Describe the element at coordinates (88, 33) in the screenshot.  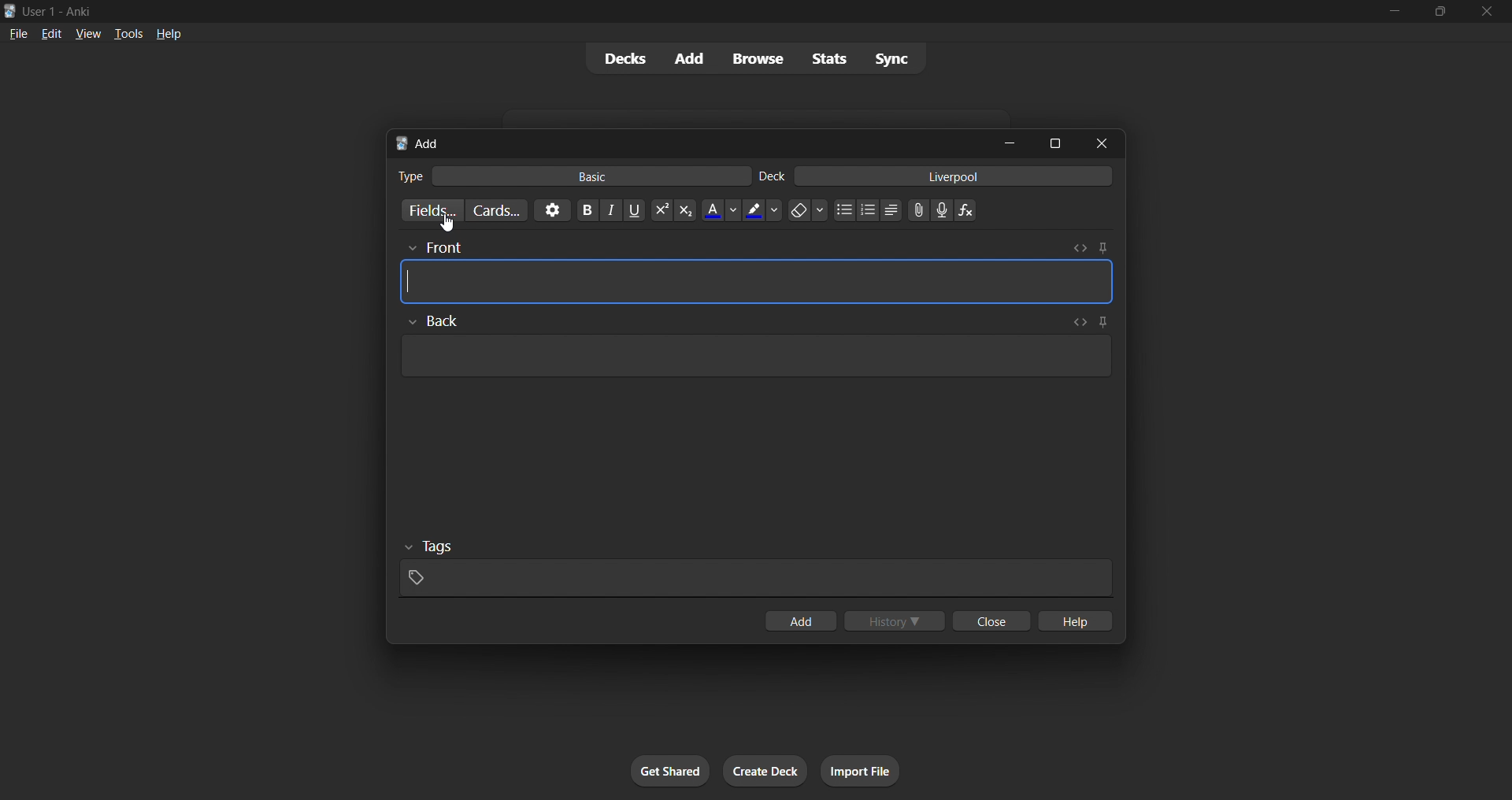
I see `view` at that location.